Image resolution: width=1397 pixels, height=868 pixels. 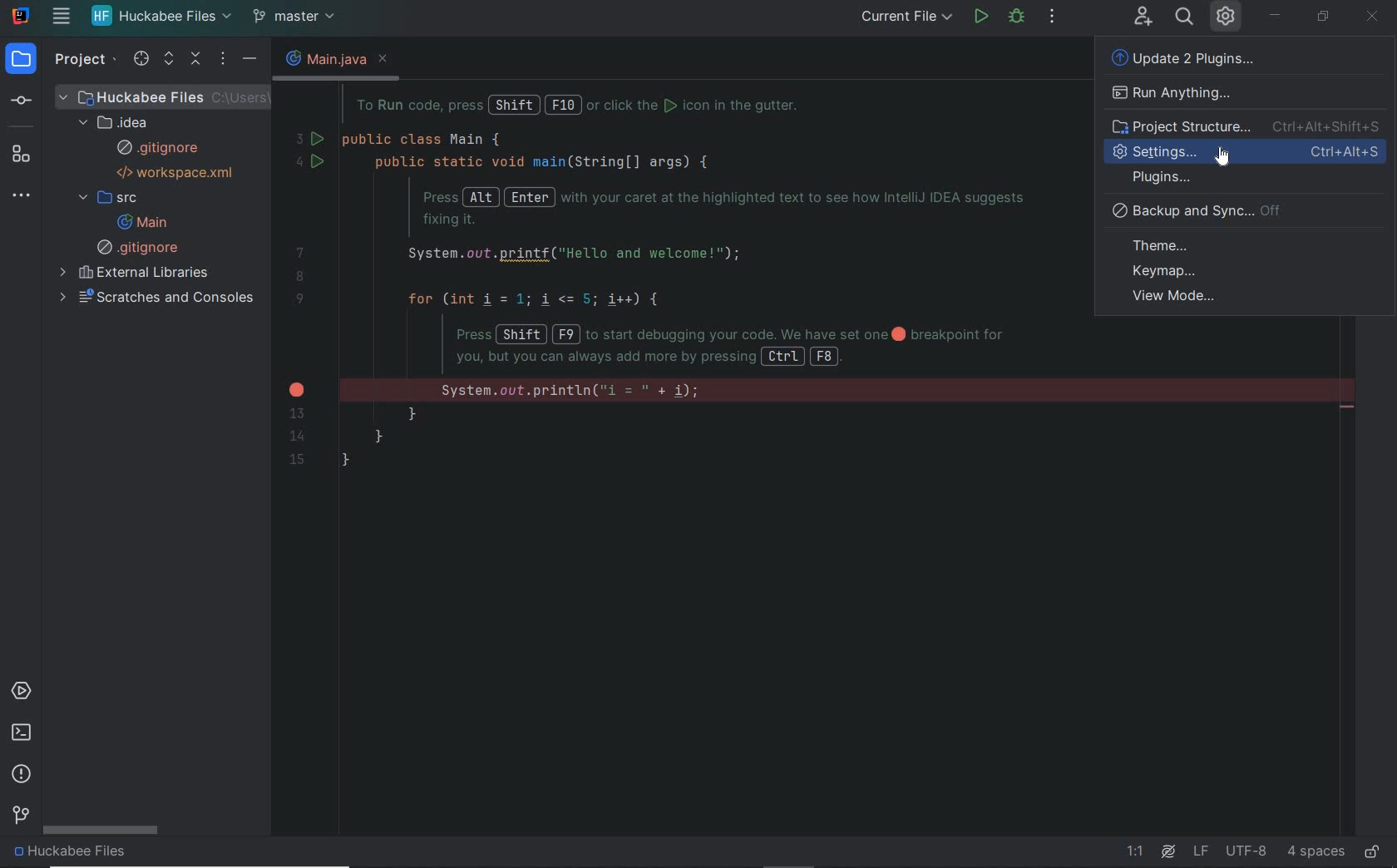 I want to click on options, so click(x=223, y=60).